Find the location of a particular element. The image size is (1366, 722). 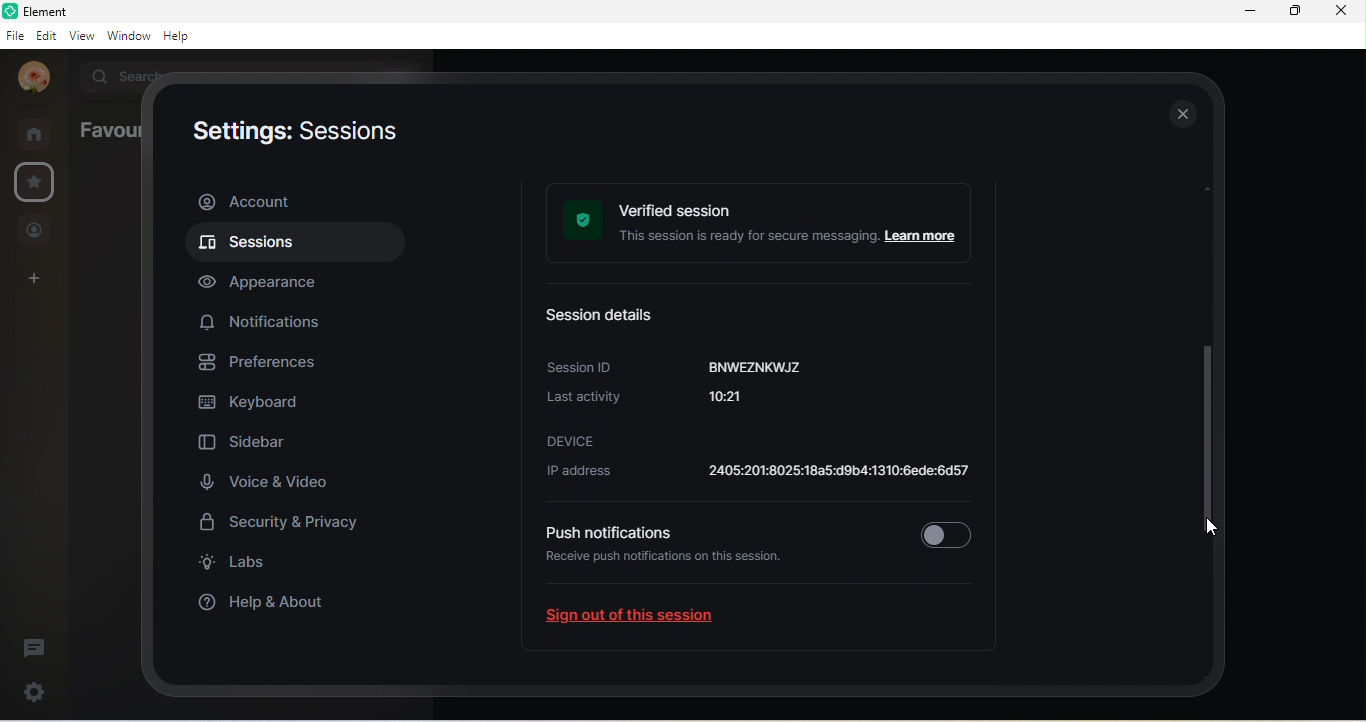

element b room is located at coordinates (76, 11).